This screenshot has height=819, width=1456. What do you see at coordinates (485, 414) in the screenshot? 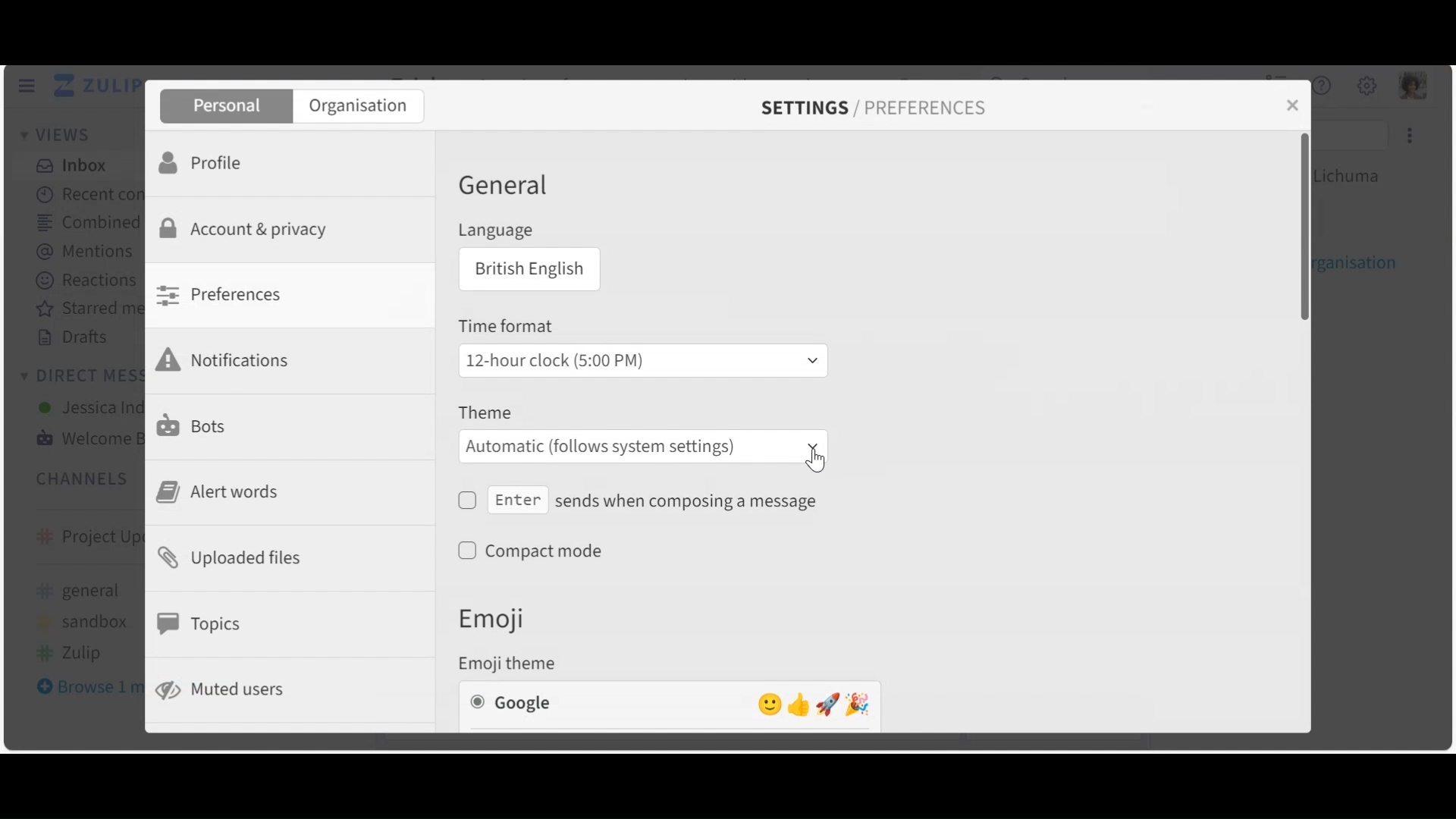
I see `Theme` at bounding box center [485, 414].